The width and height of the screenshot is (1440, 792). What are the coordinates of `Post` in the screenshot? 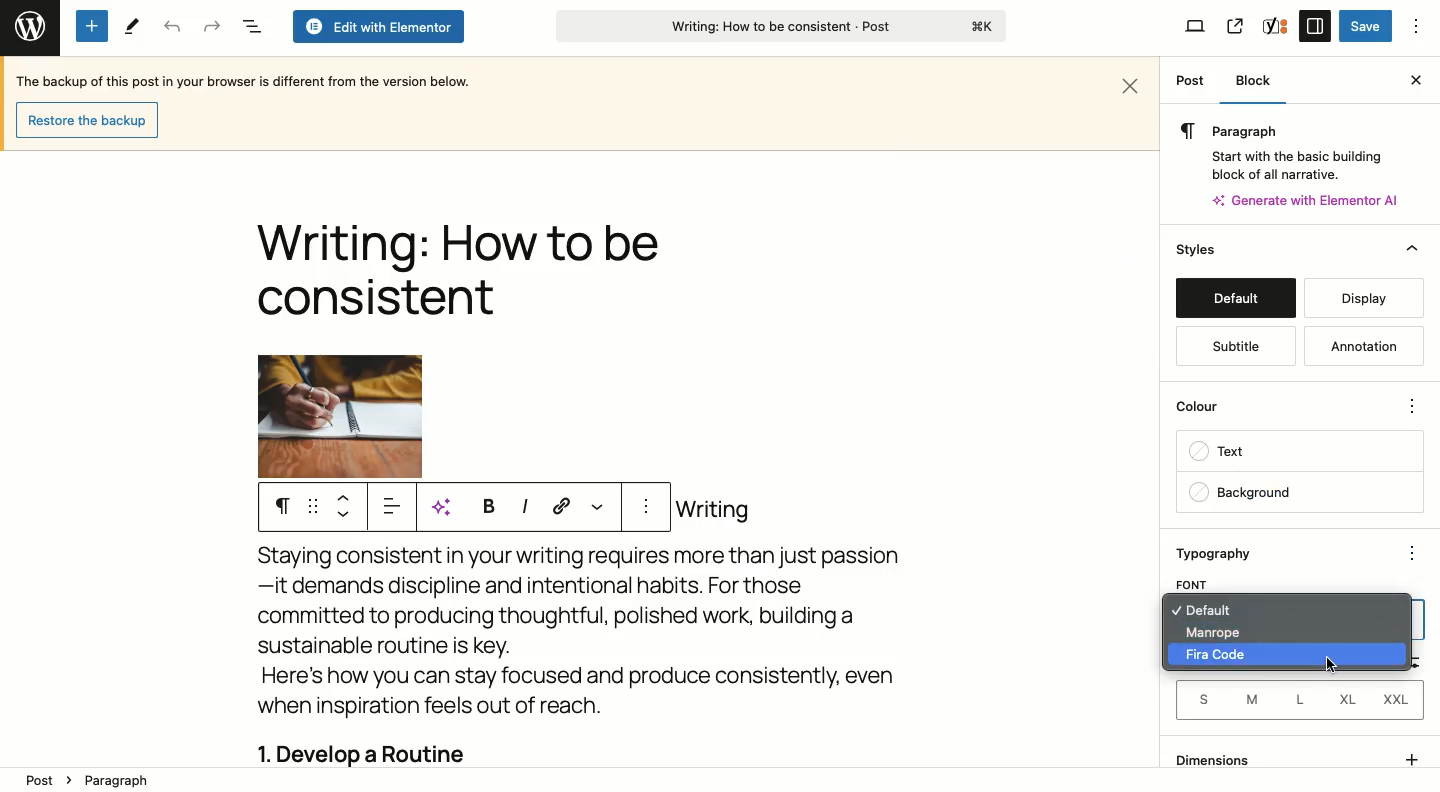 It's located at (1190, 82).